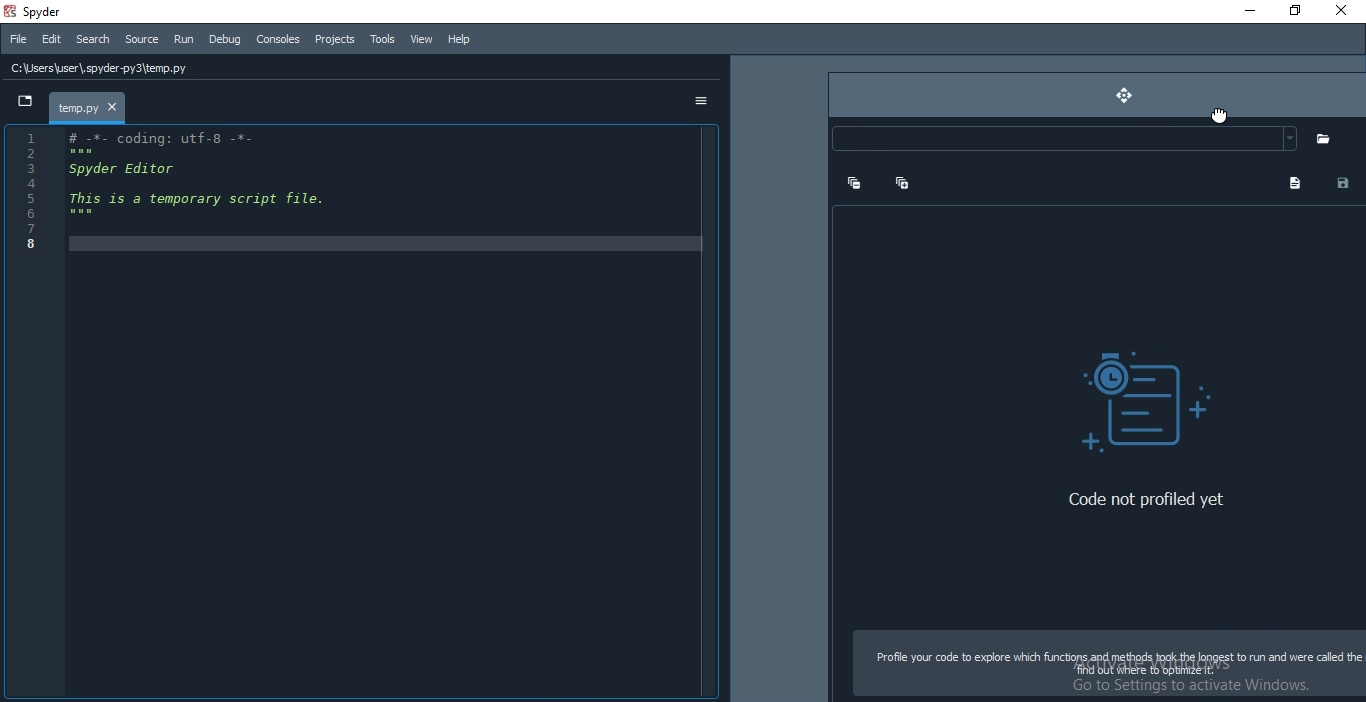  Describe the element at coordinates (182, 40) in the screenshot. I see `Run` at that location.